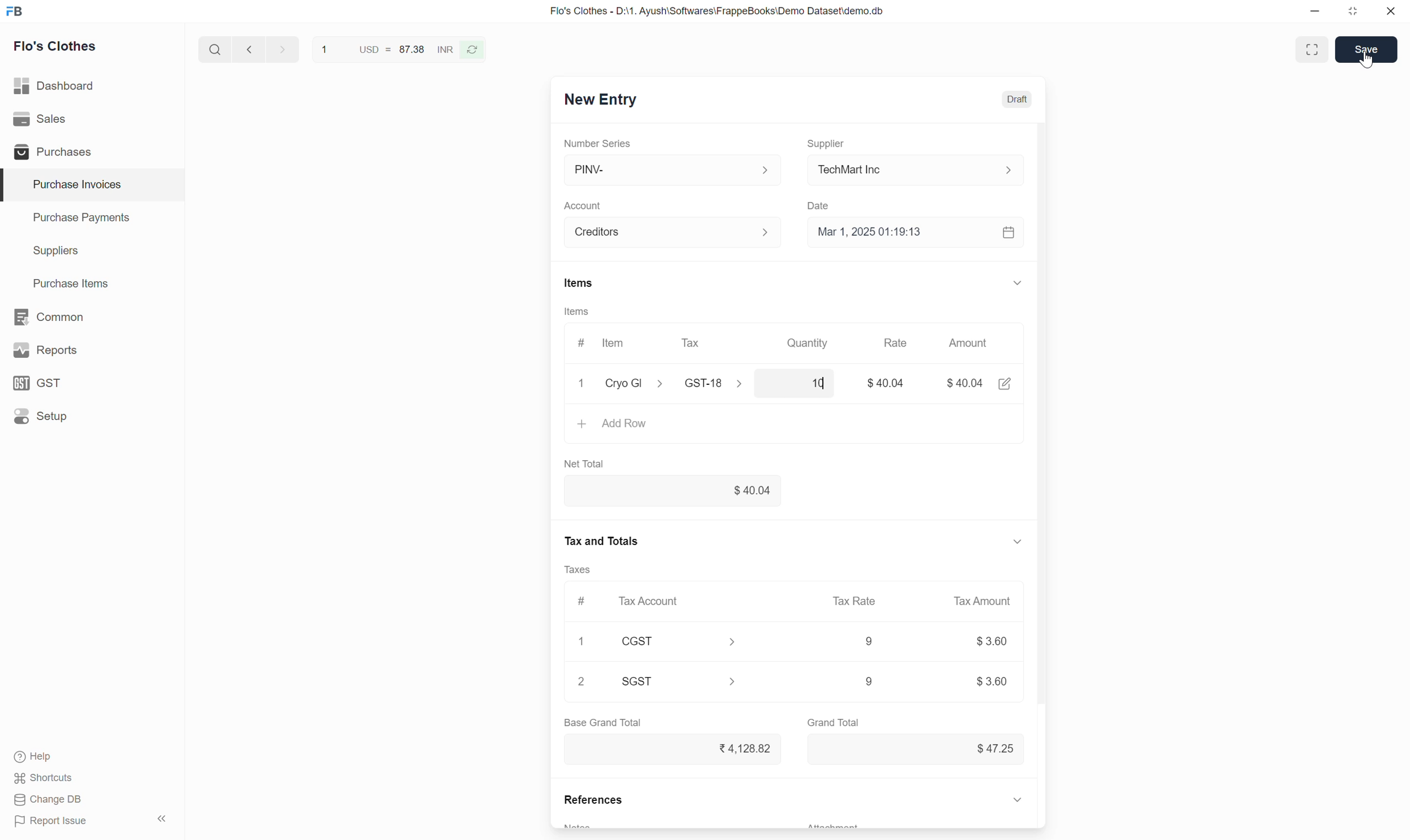  Describe the element at coordinates (988, 748) in the screenshot. I see `$47.25` at that location.